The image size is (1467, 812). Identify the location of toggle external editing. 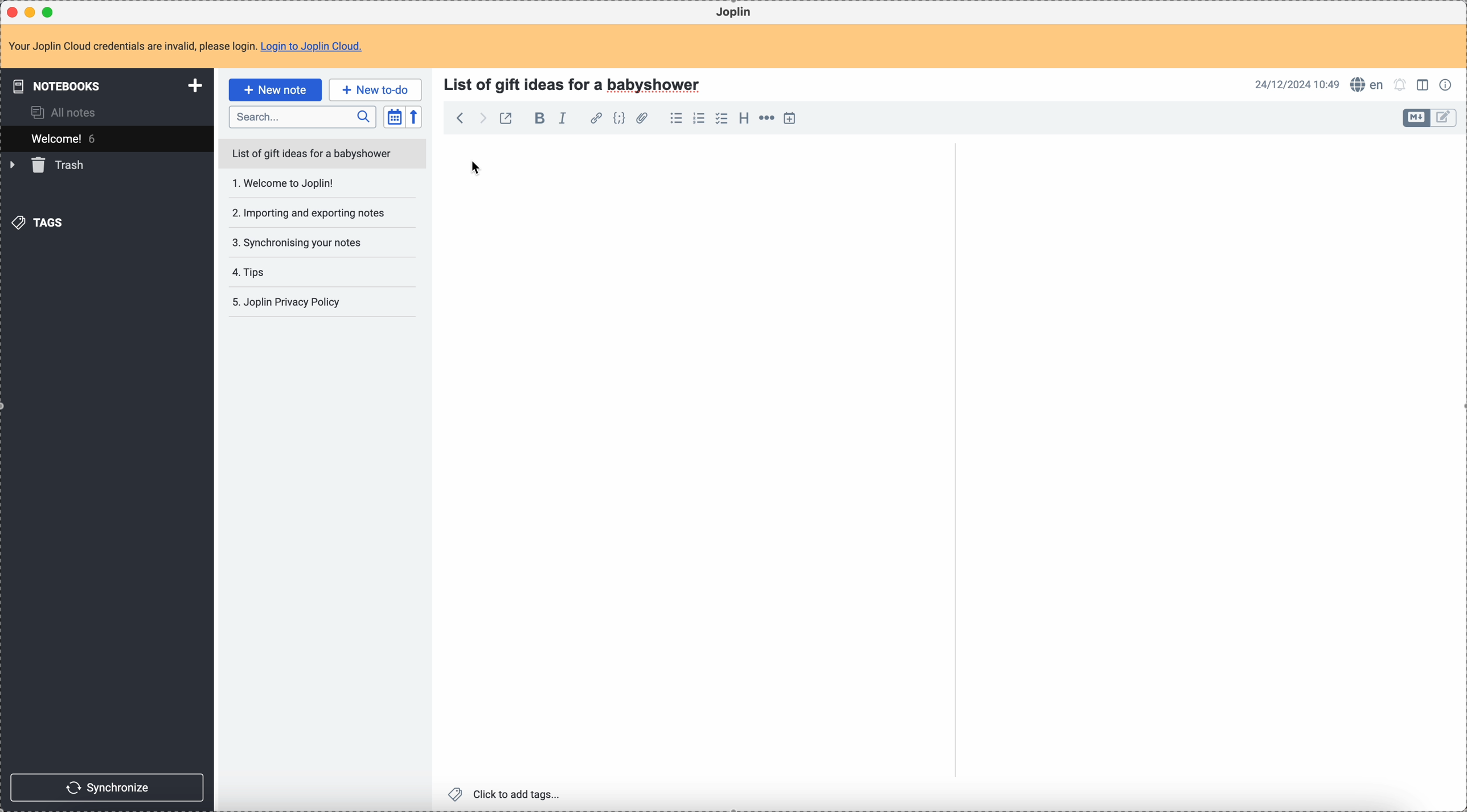
(505, 118).